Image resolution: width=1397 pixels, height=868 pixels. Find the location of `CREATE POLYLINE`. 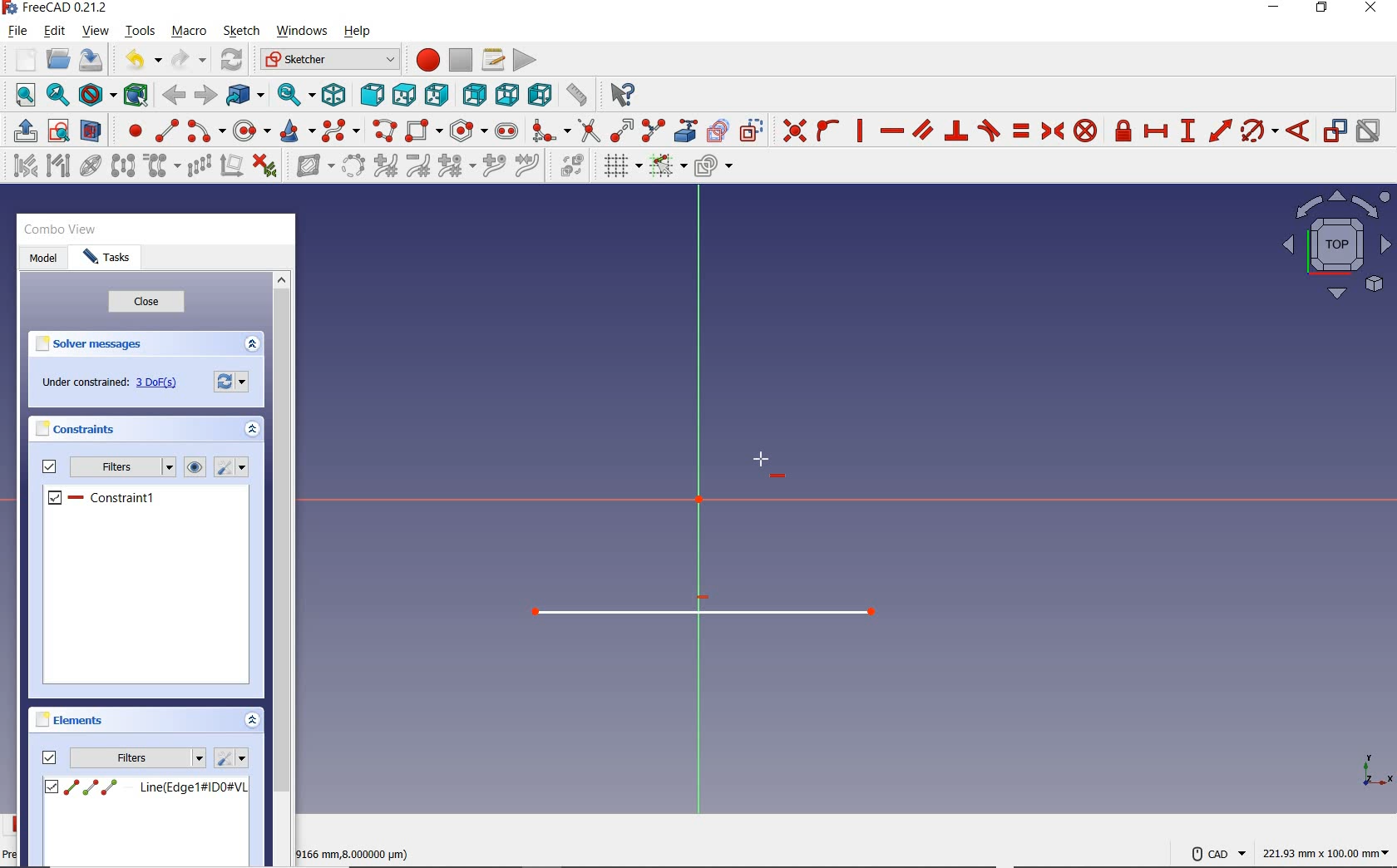

CREATE POLYLINE is located at coordinates (383, 131).